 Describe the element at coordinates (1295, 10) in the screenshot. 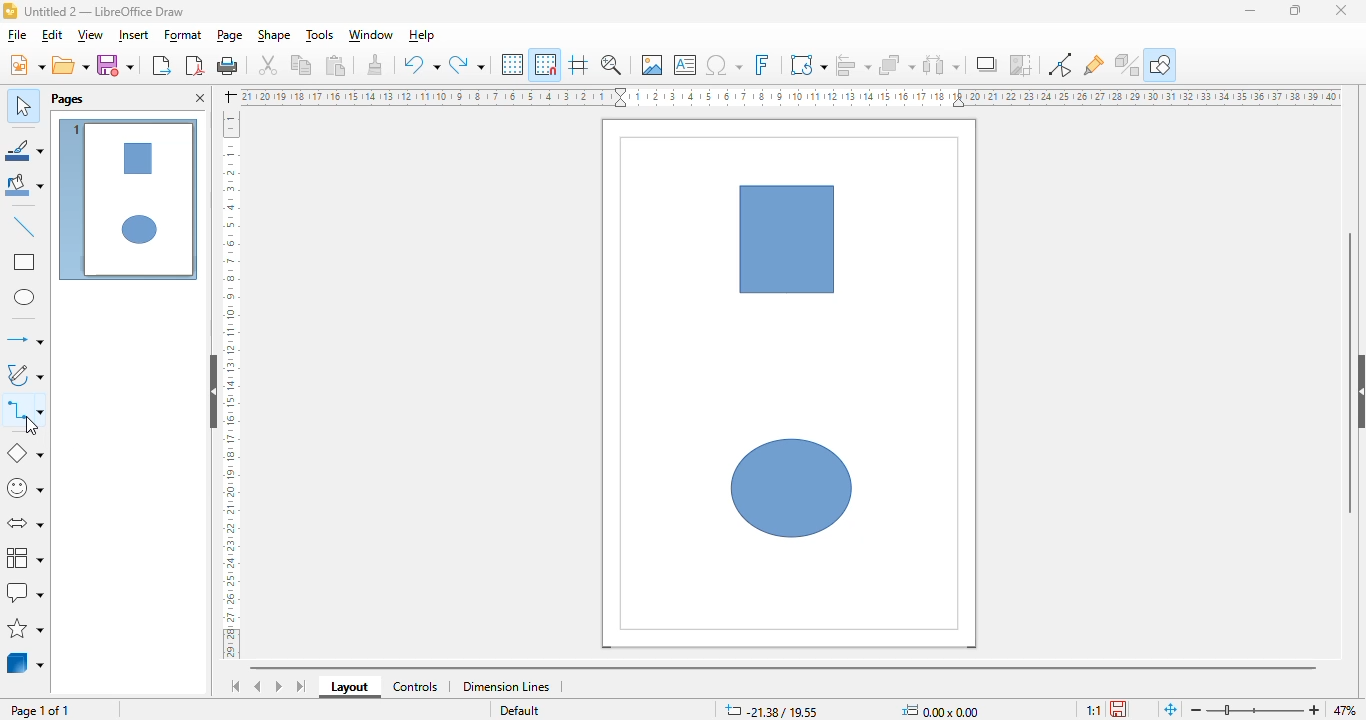

I see `maximize` at that location.